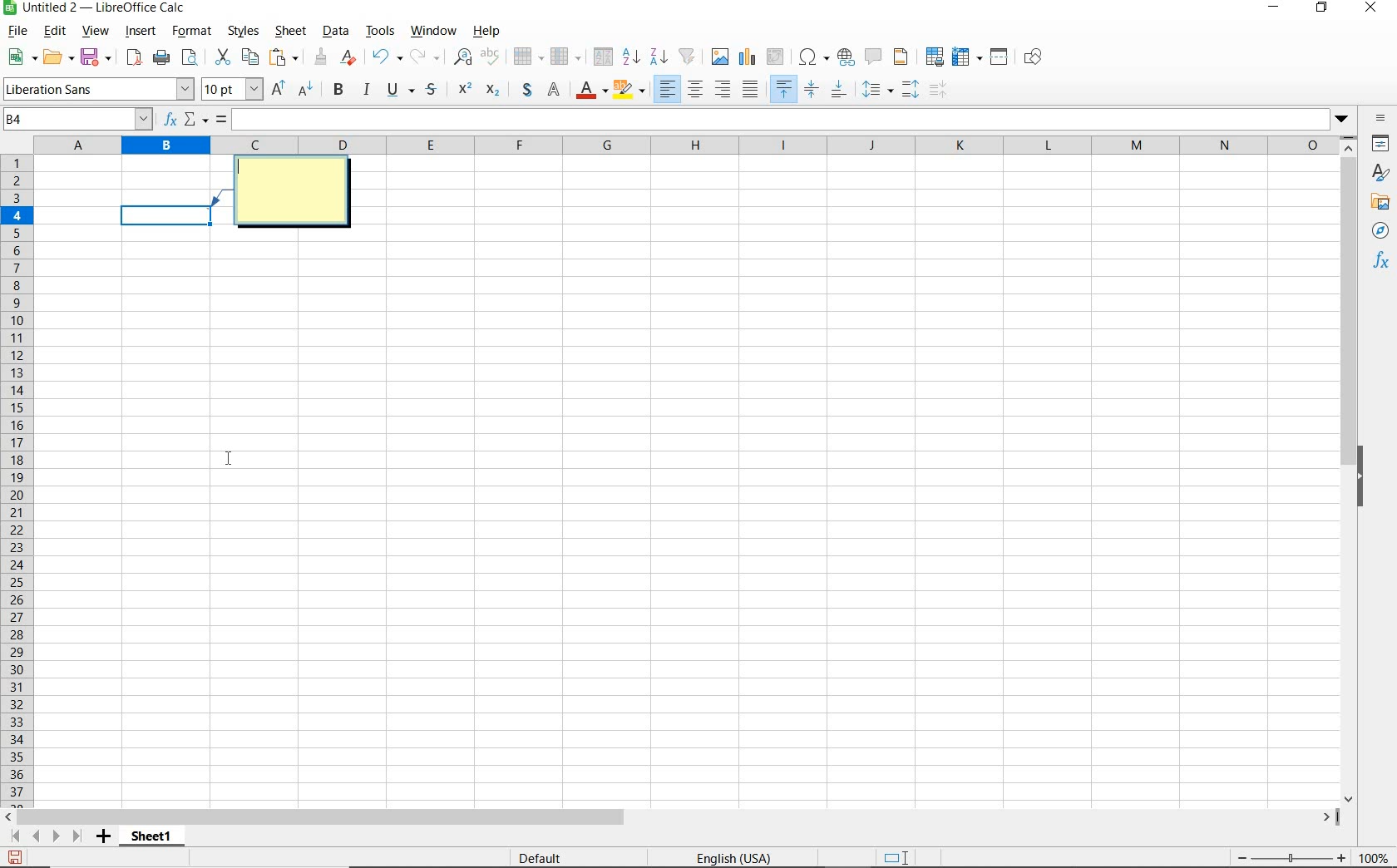 The width and height of the screenshot is (1397, 868). What do you see at coordinates (667, 90) in the screenshot?
I see `Align left` at bounding box center [667, 90].